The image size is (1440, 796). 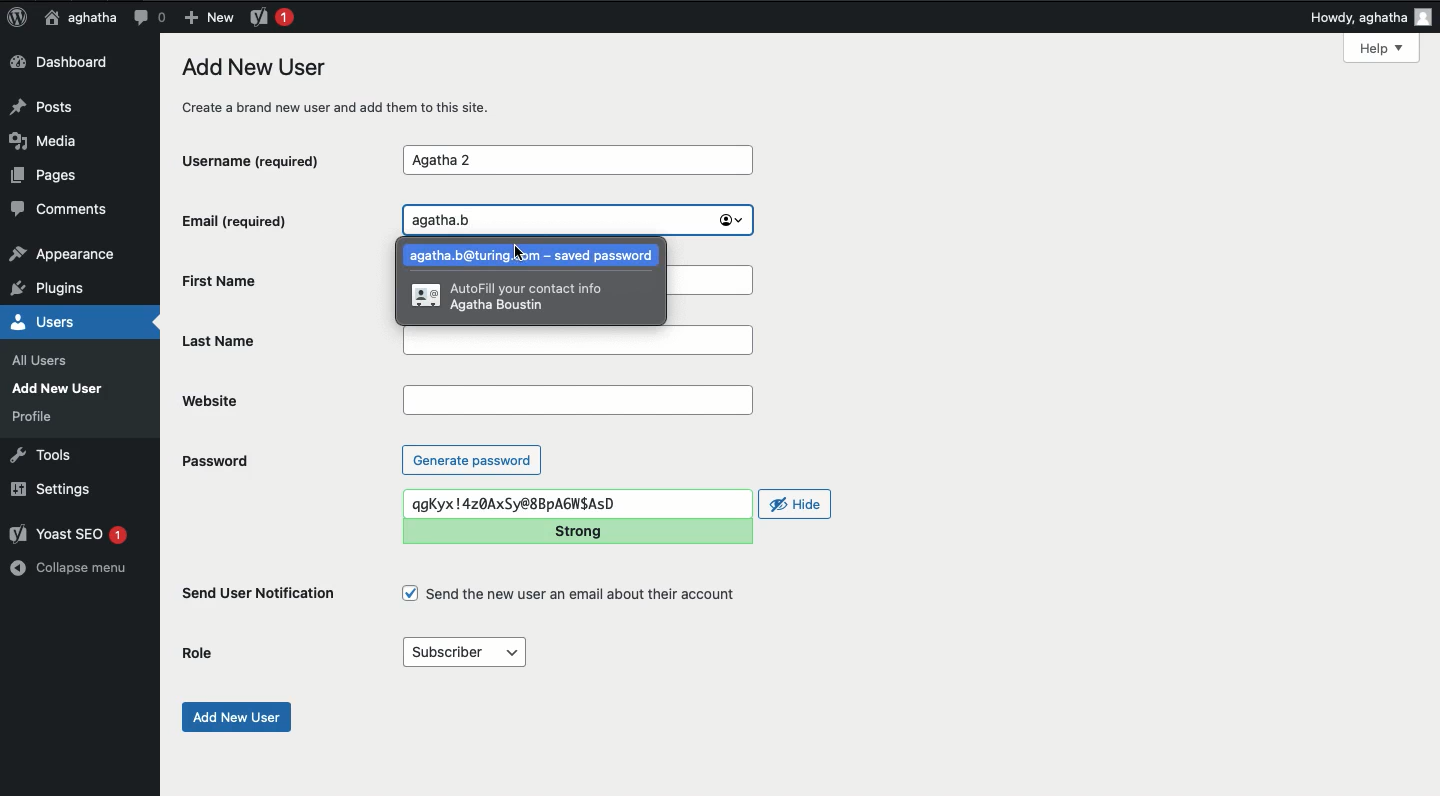 I want to click on Agatha 2, so click(x=577, y=161).